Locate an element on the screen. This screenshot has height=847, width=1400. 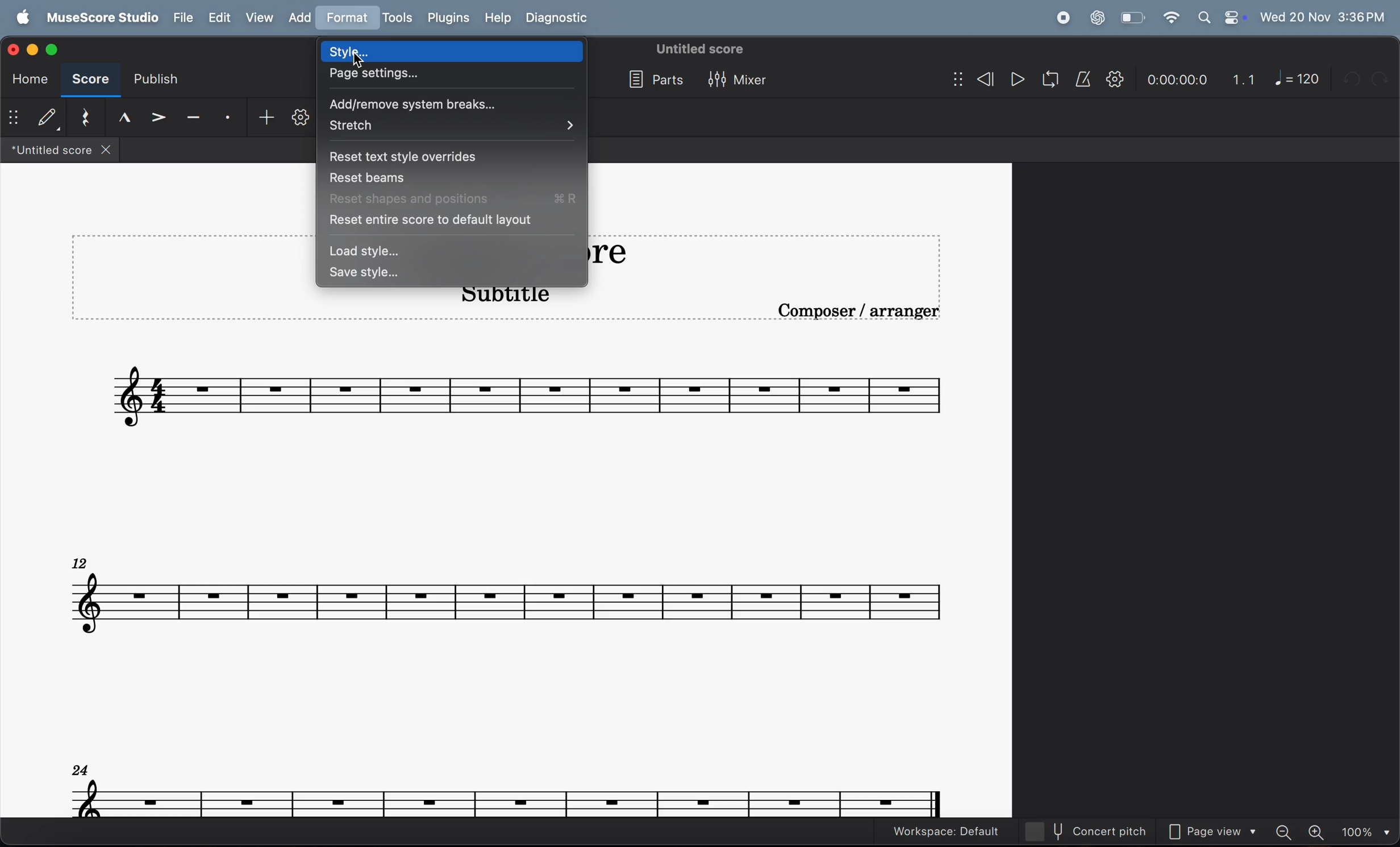
apple widgets is located at coordinates (1221, 18).